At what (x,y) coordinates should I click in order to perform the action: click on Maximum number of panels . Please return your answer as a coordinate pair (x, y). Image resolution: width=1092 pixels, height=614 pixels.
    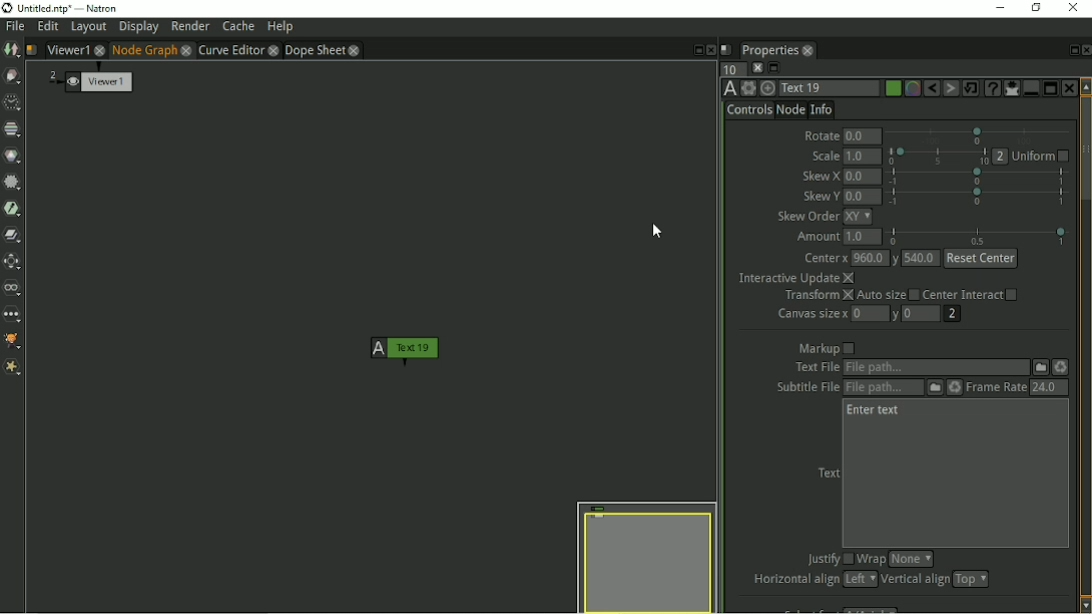
    Looking at the image, I should click on (729, 70).